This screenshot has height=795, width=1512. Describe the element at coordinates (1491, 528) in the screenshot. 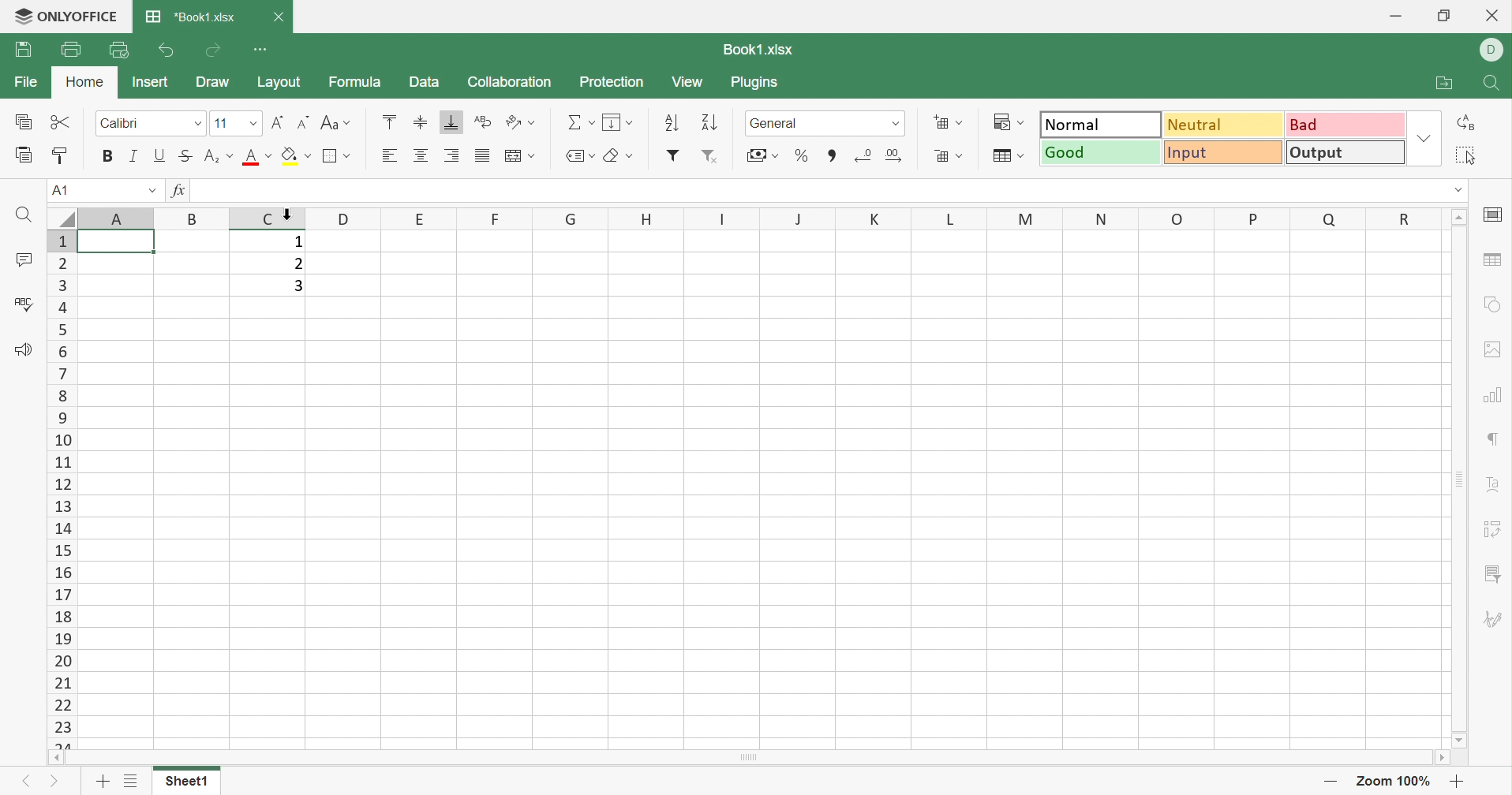

I see `Pivot Table settings` at that location.